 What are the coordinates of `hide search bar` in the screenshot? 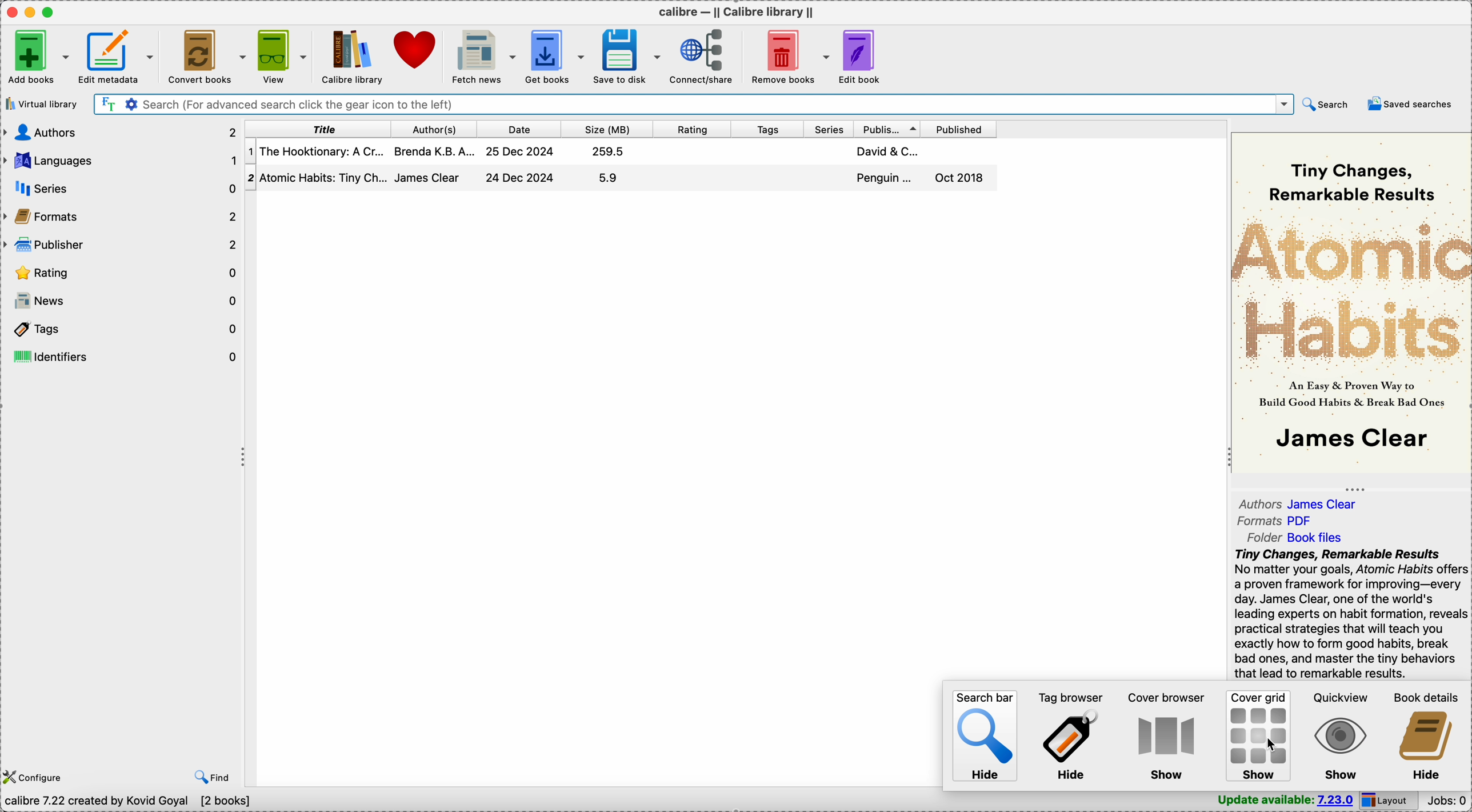 It's located at (986, 737).